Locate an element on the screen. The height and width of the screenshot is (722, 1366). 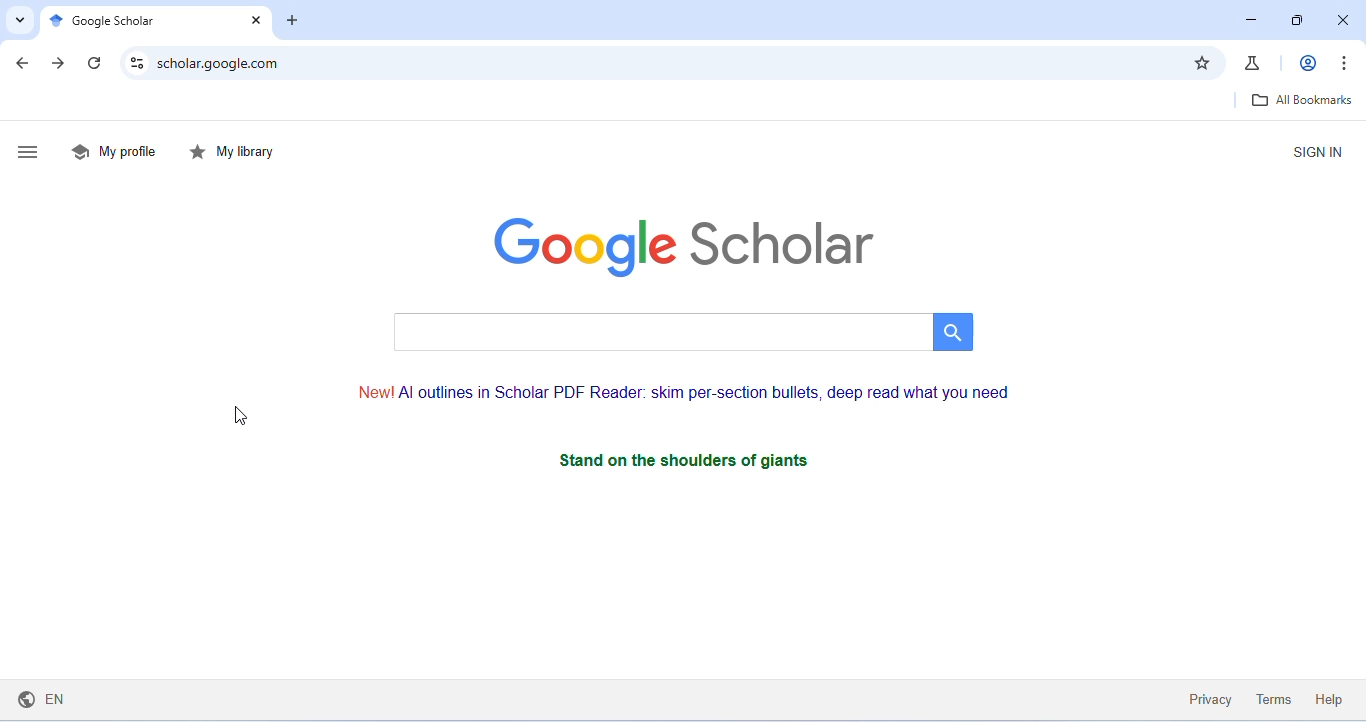
close is located at coordinates (254, 22).